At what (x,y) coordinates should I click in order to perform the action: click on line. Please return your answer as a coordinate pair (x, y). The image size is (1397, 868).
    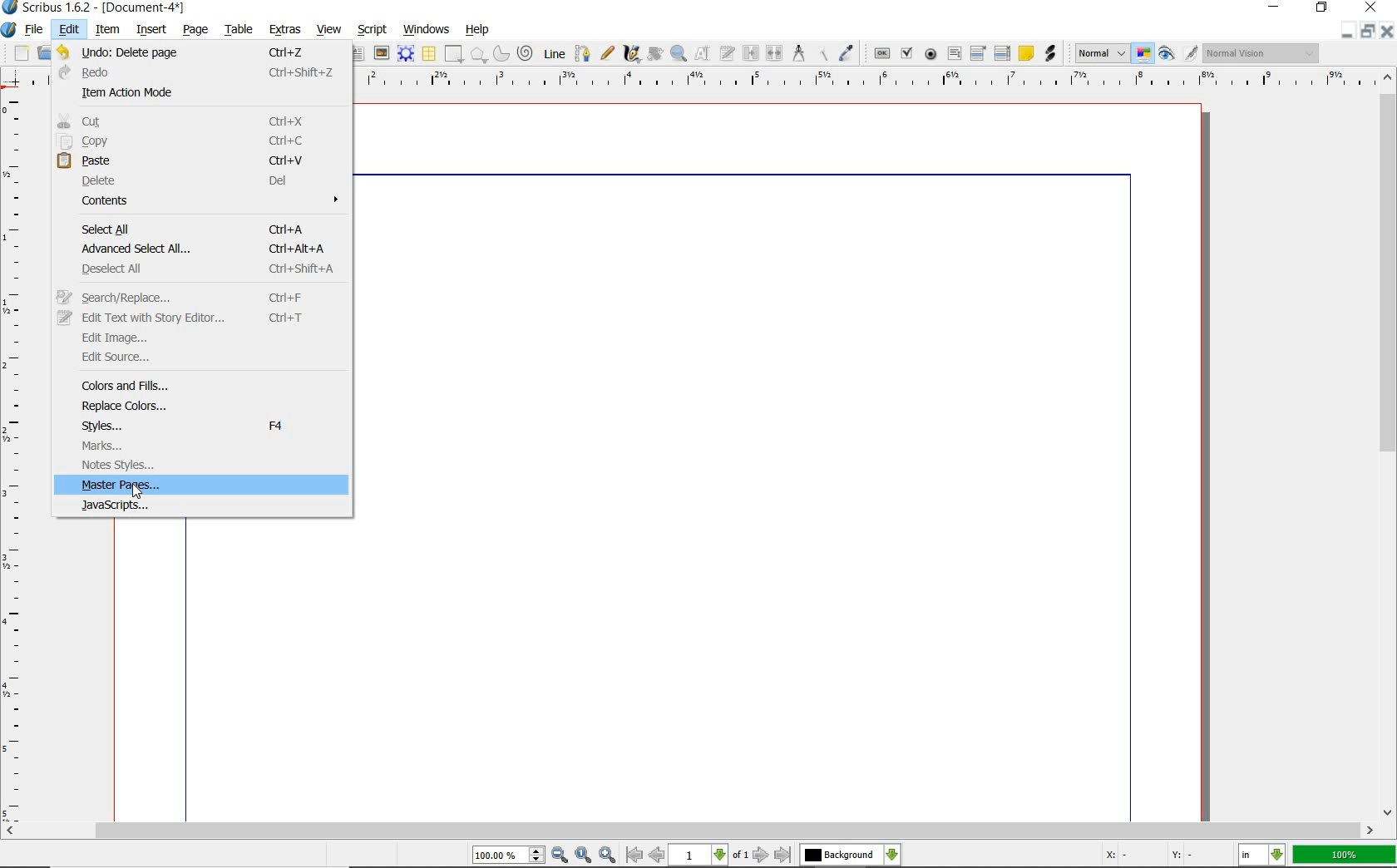
    Looking at the image, I should click on (553, 53).